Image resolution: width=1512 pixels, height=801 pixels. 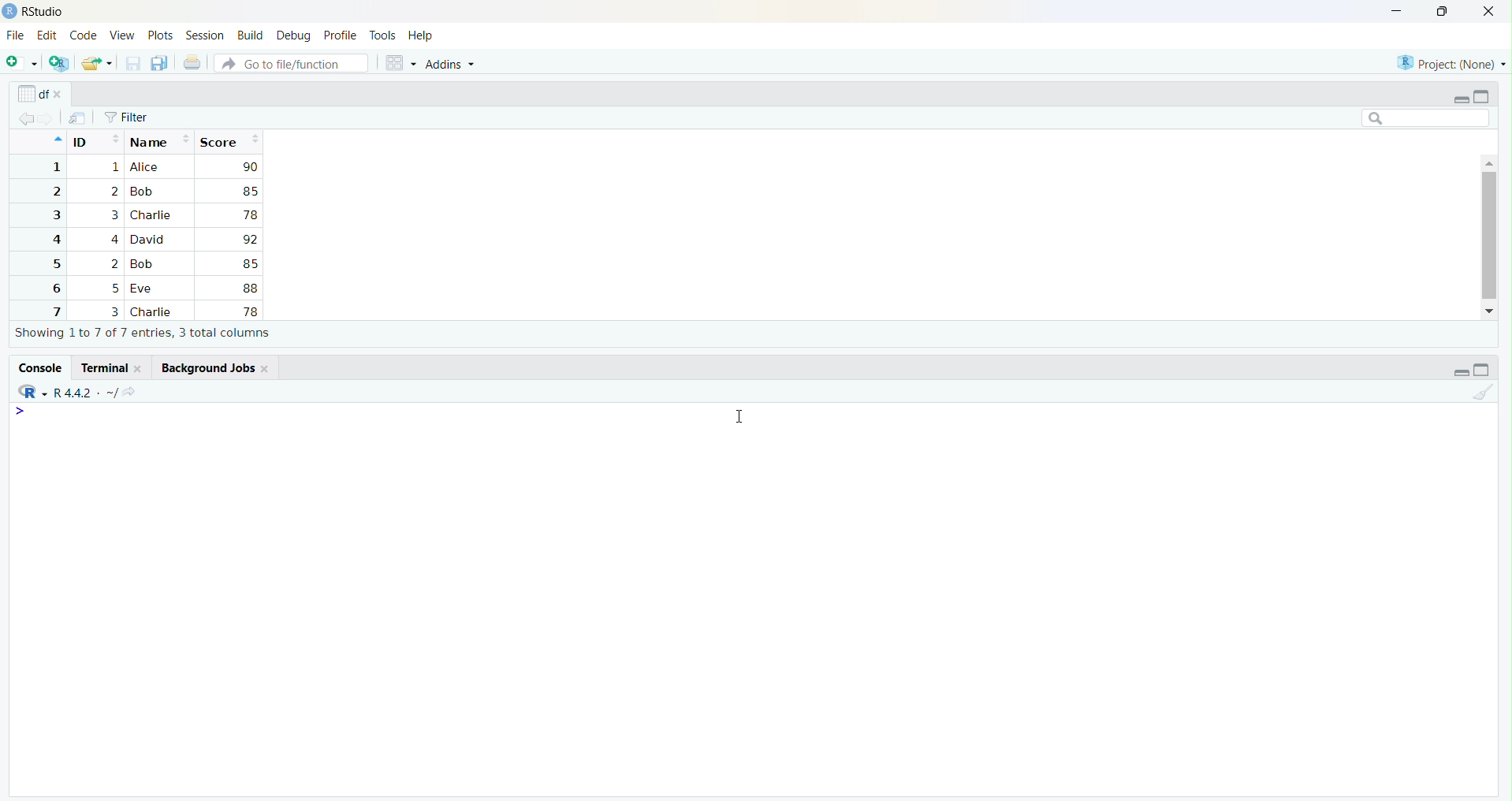 I want to click on resize, so click(x=1443, y=12).